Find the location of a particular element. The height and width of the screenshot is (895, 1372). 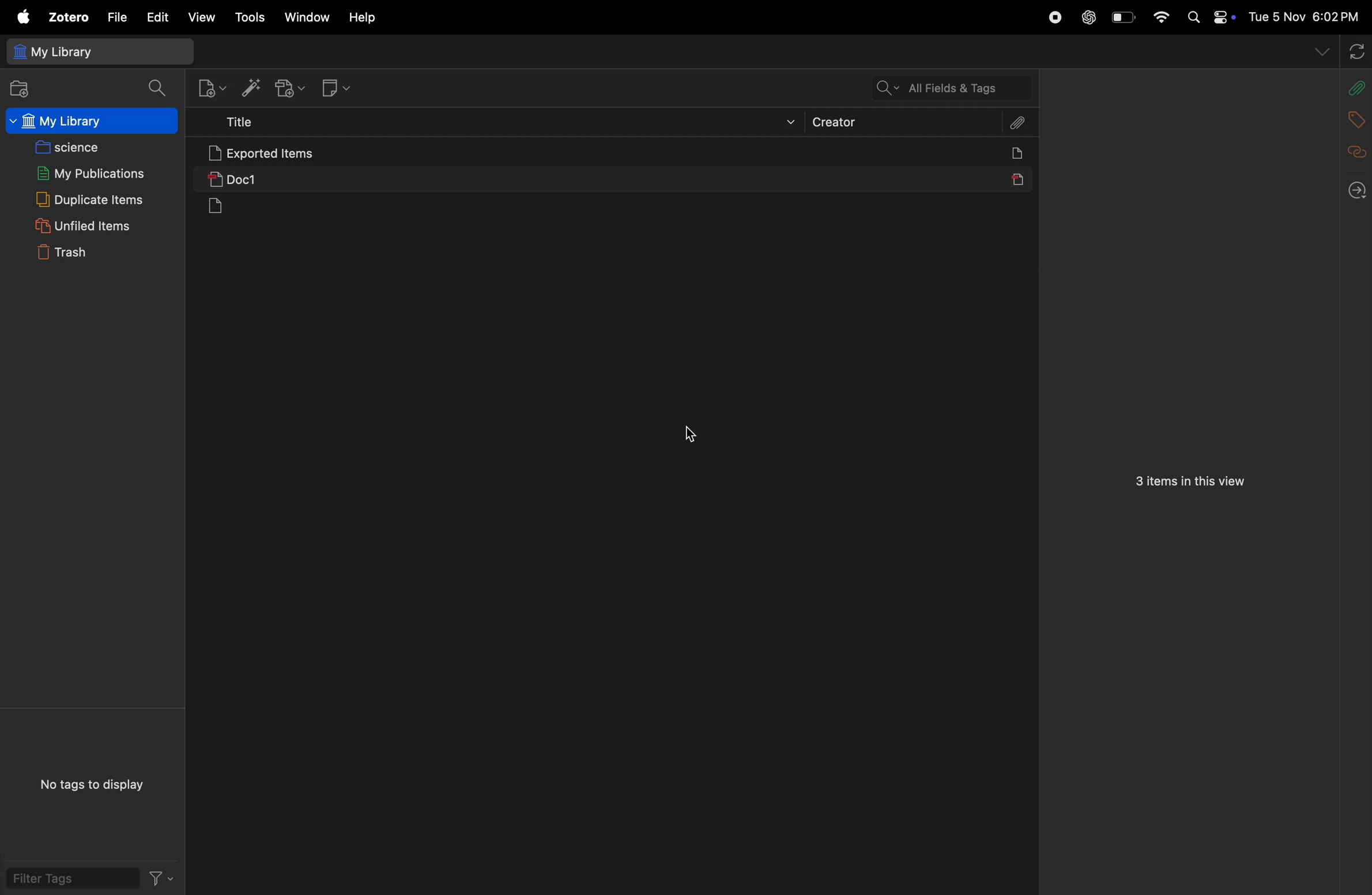

help is located at coordinates (365, 17).